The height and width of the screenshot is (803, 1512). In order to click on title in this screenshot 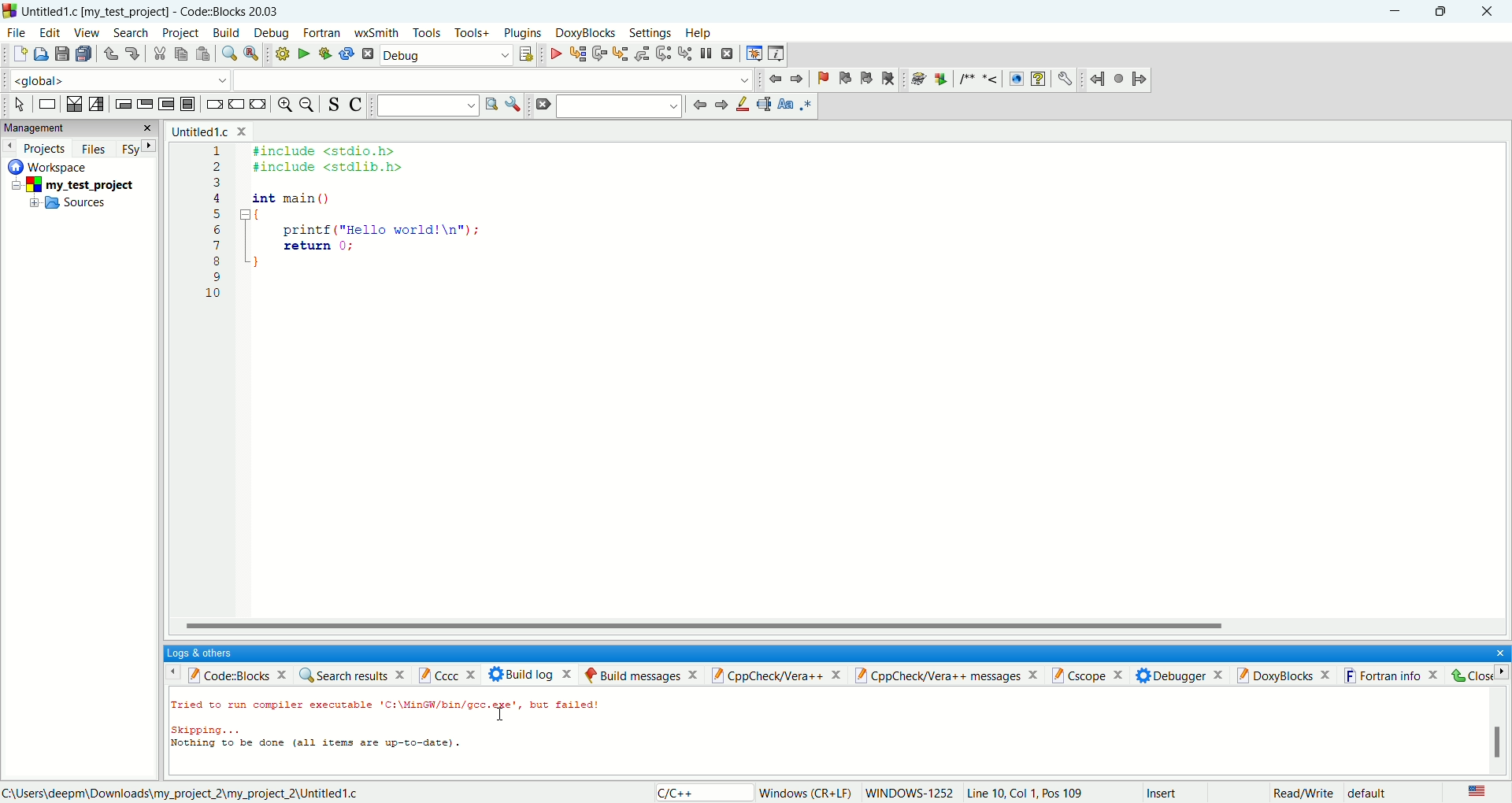, I will do `click(152, 11)`.